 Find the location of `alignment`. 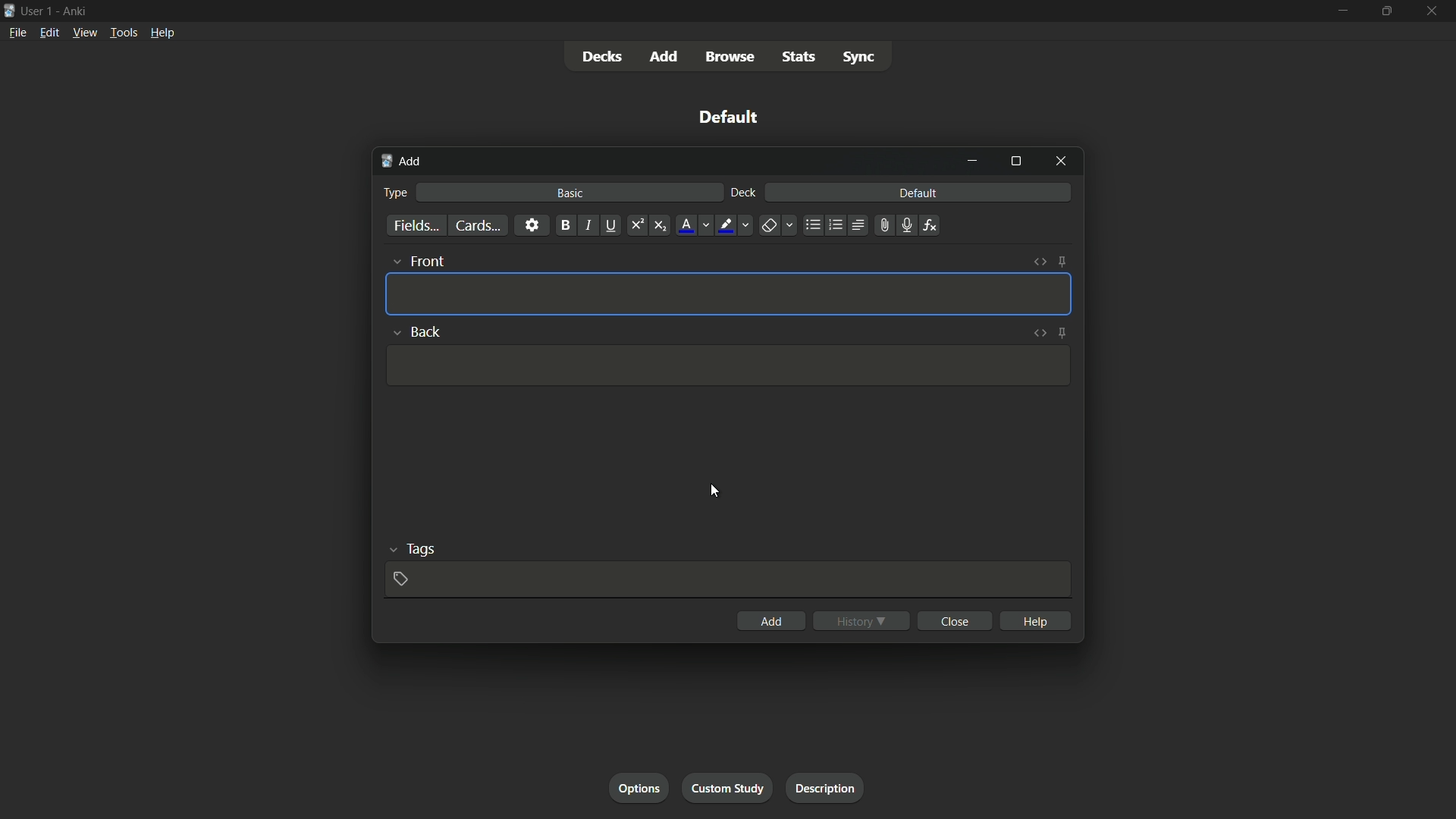

alignment is located at coordinates (859, 224).